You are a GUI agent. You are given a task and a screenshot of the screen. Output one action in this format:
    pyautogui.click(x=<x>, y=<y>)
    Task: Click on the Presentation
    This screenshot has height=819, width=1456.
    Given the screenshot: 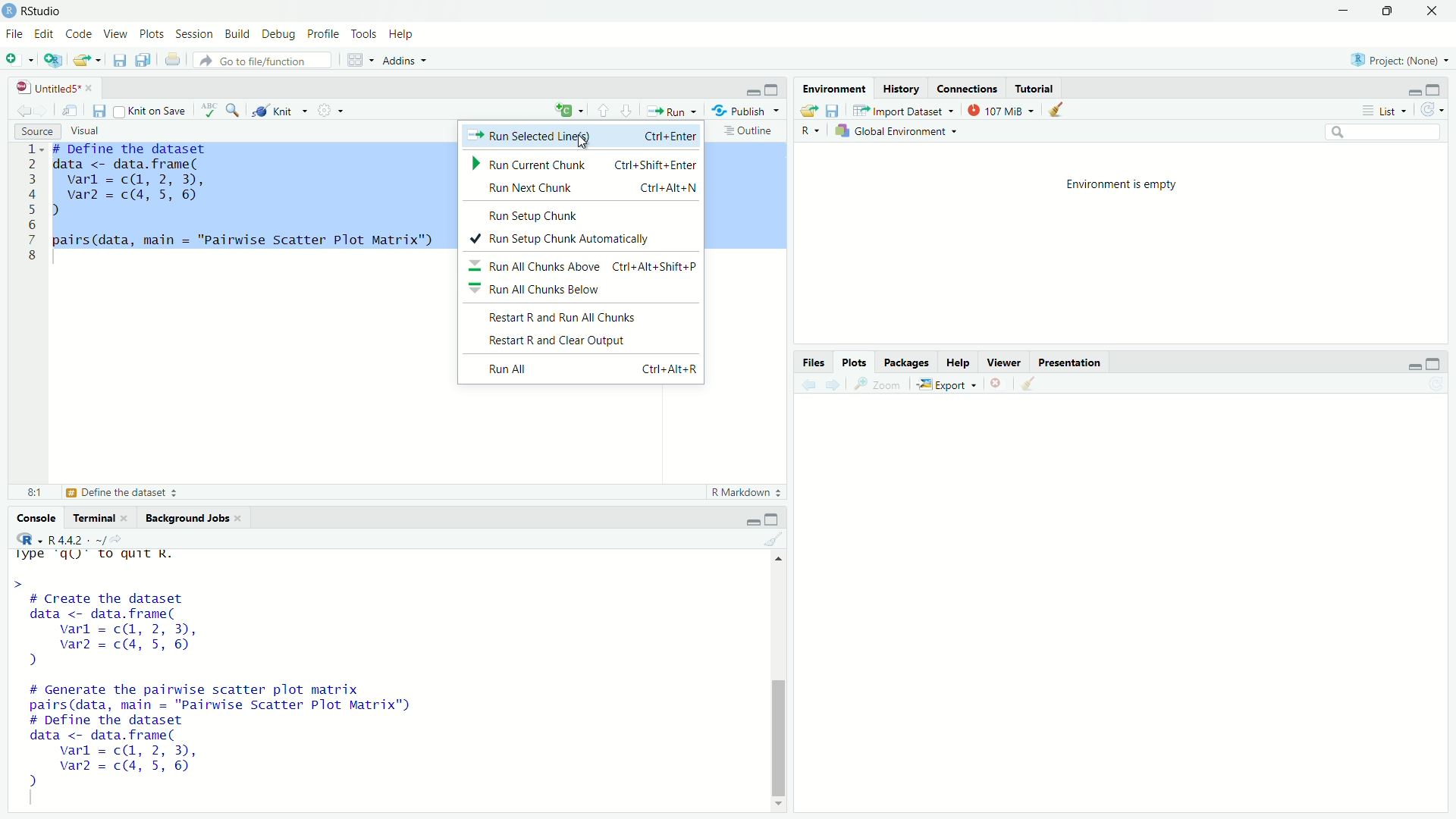 What is the action you would take?
    pyautogui.click(x=1071, y=362)
    